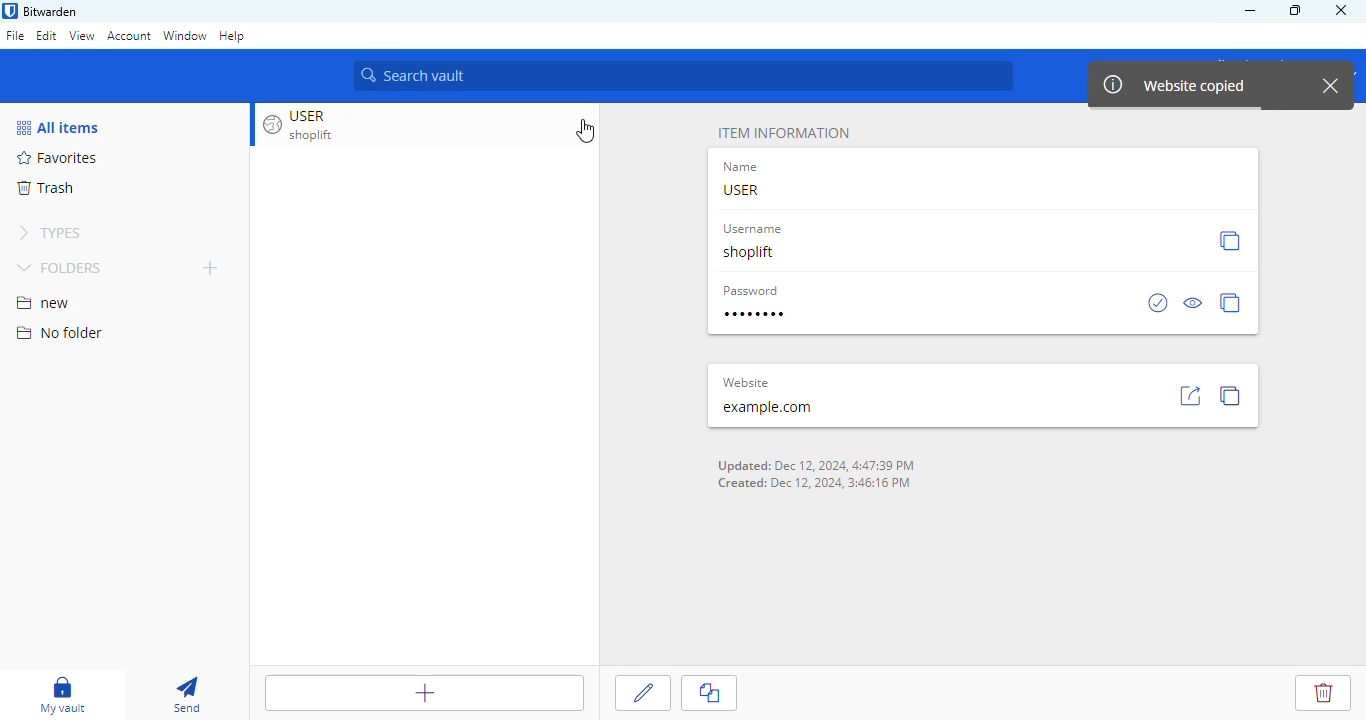 This screenshot has width=1366, height=720. I want to click on add item, so click(423, 692).